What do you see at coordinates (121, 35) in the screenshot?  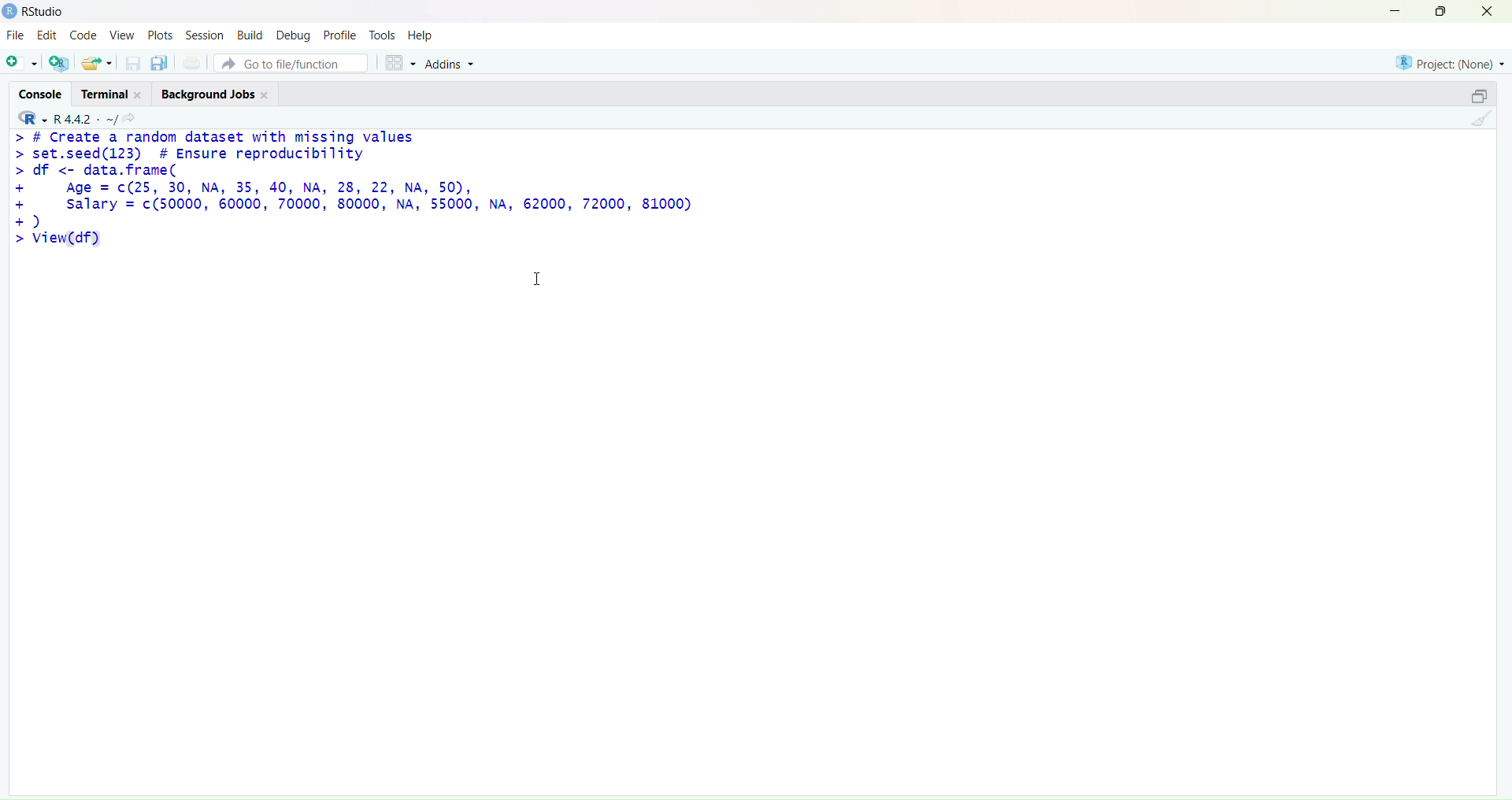 I see `view` at bounding box center [121, 35].